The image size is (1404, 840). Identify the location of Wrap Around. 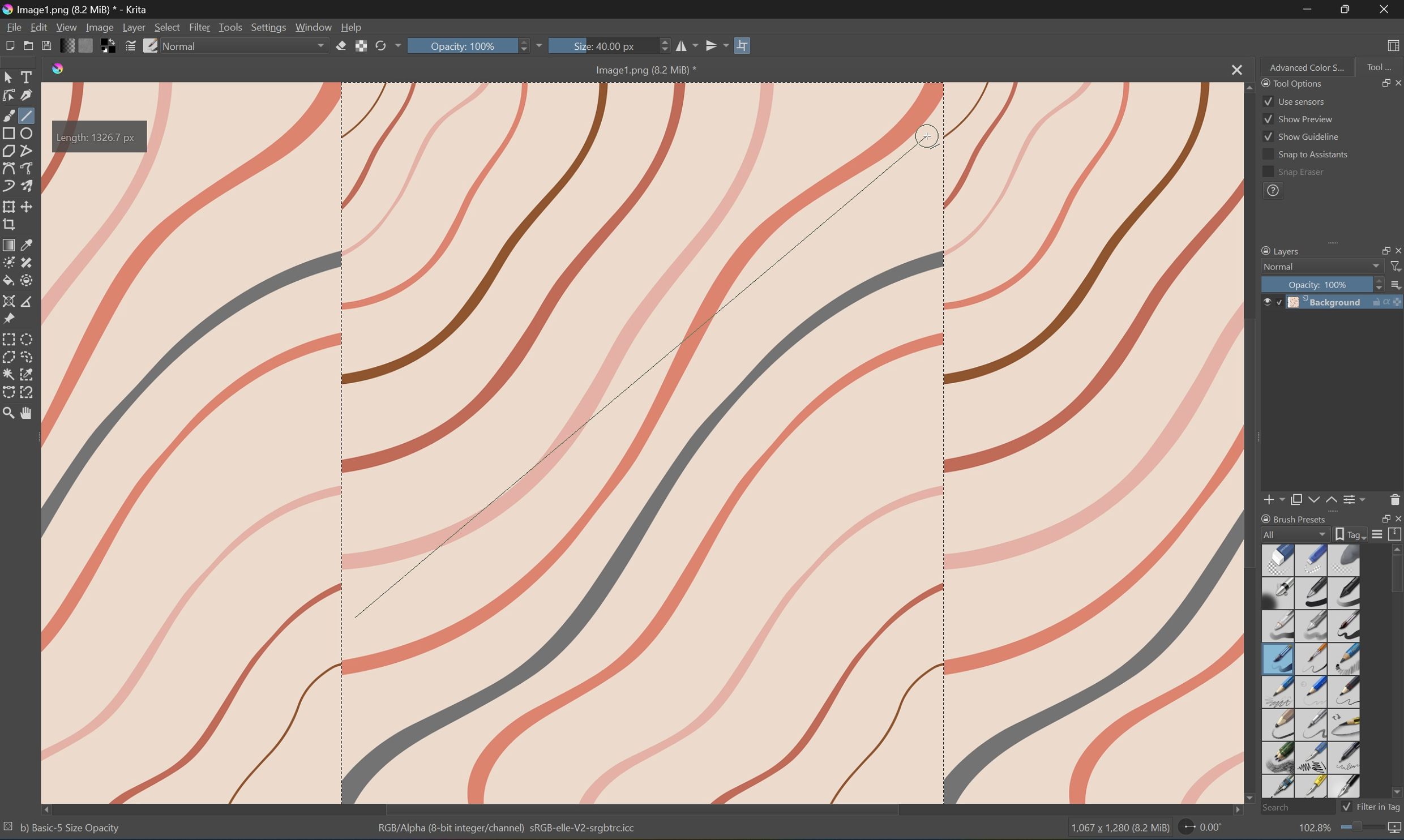
(745, 44).